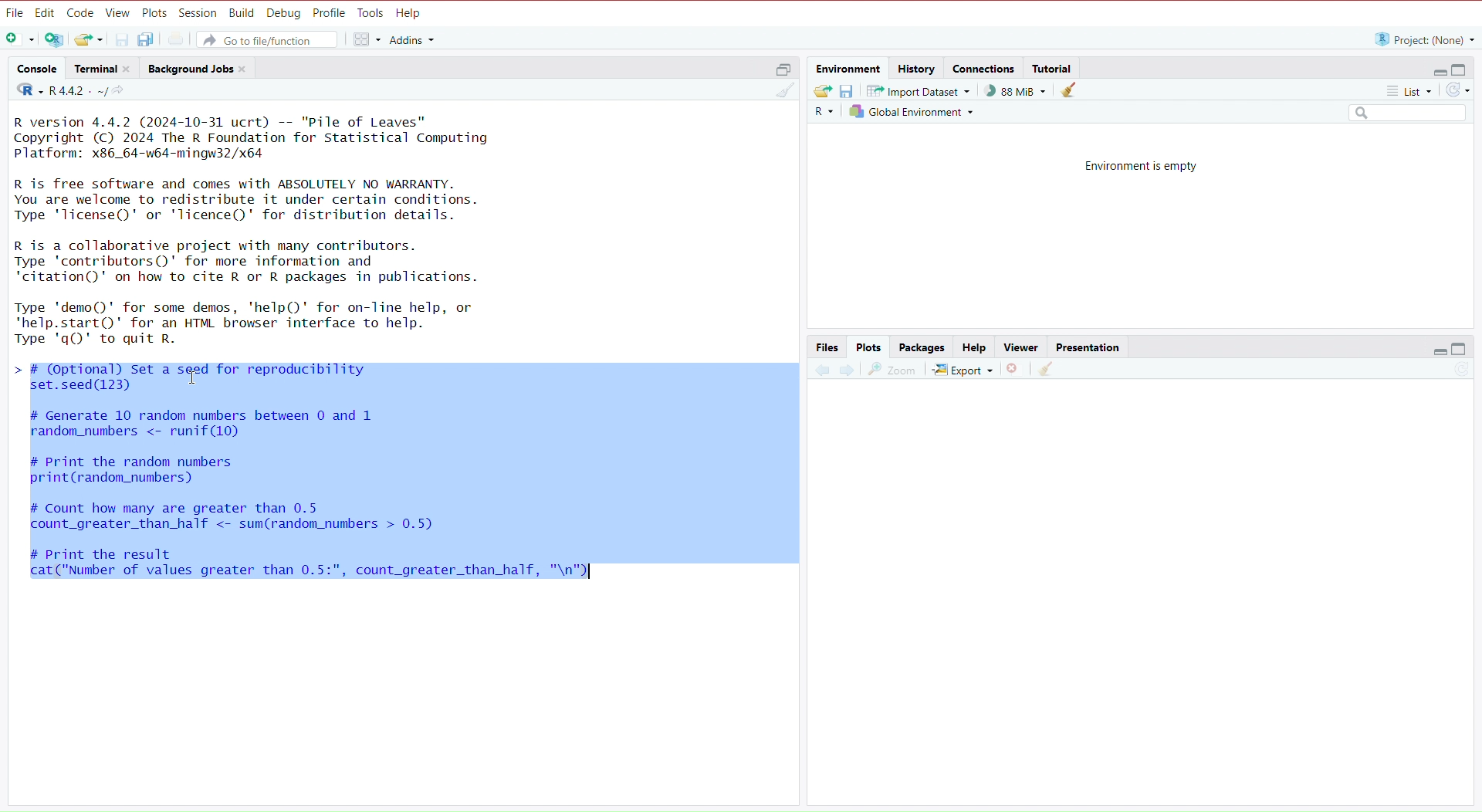 The image size is (1482, 812). What do you see at coordinates (868, 347) in the screenshot?
I see `Plots` at bounding box center [868, 347].